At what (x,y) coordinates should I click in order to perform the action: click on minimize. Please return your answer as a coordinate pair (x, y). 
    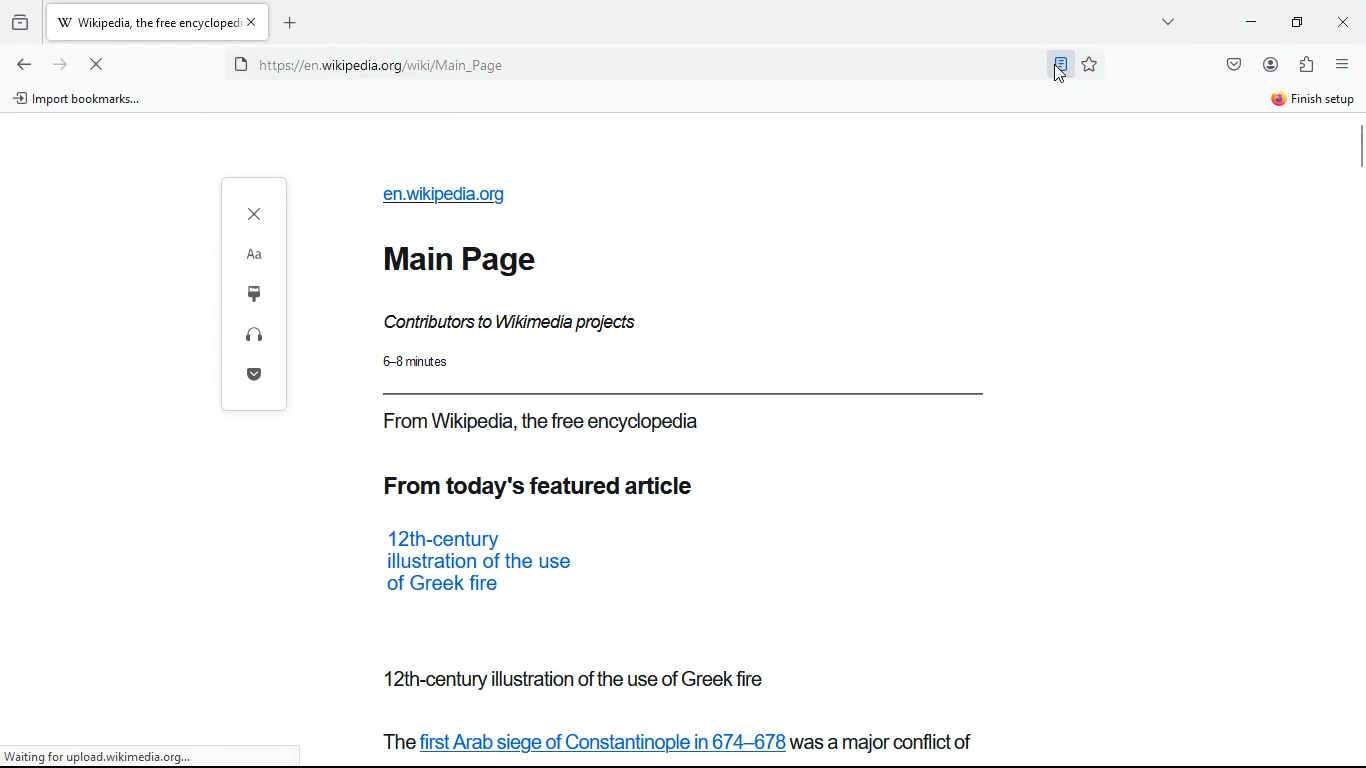
    Looking at the image, I should click on (1247, 22).